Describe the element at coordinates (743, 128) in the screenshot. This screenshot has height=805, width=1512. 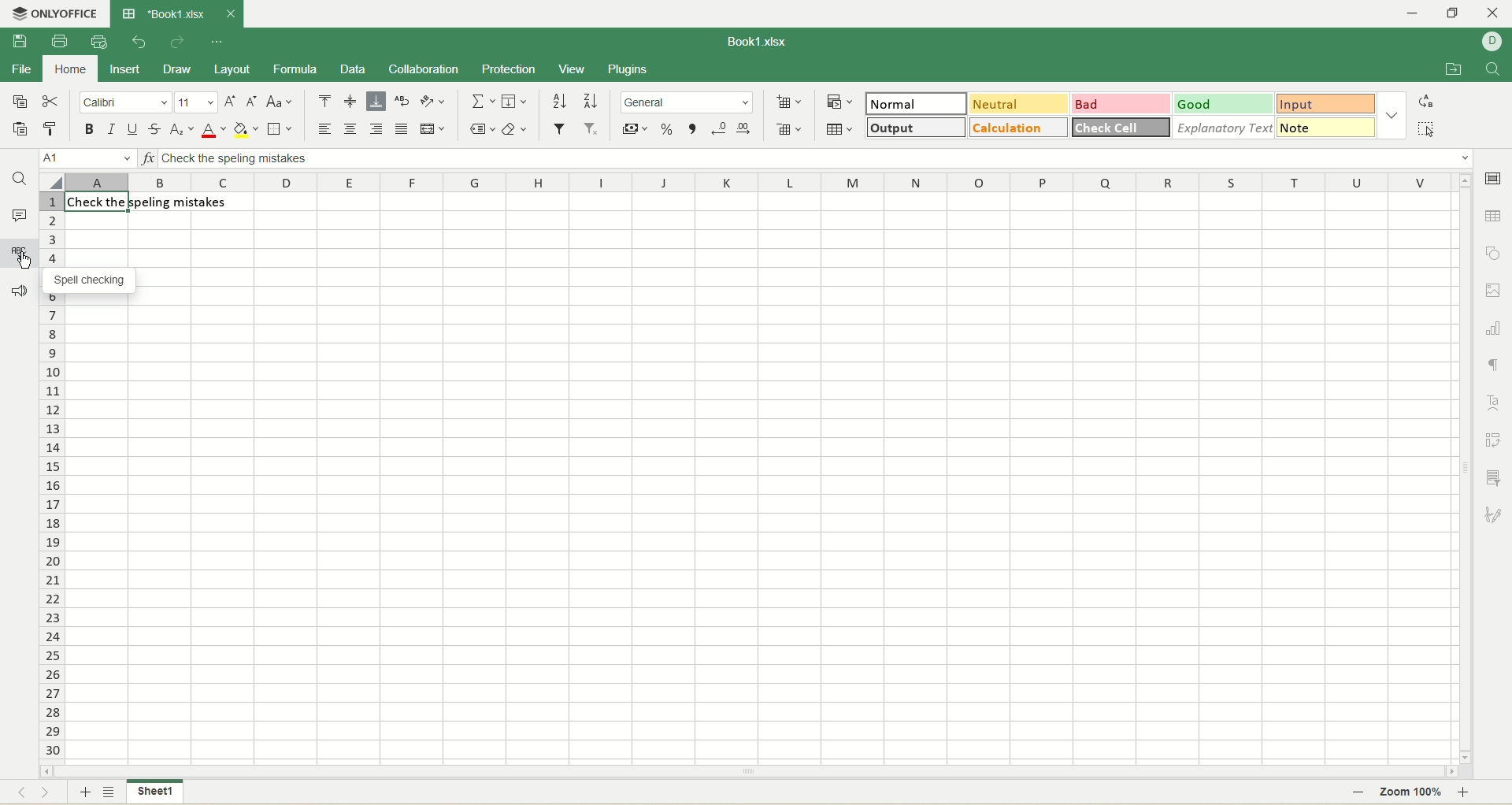
I see `increase decimal` at that location.